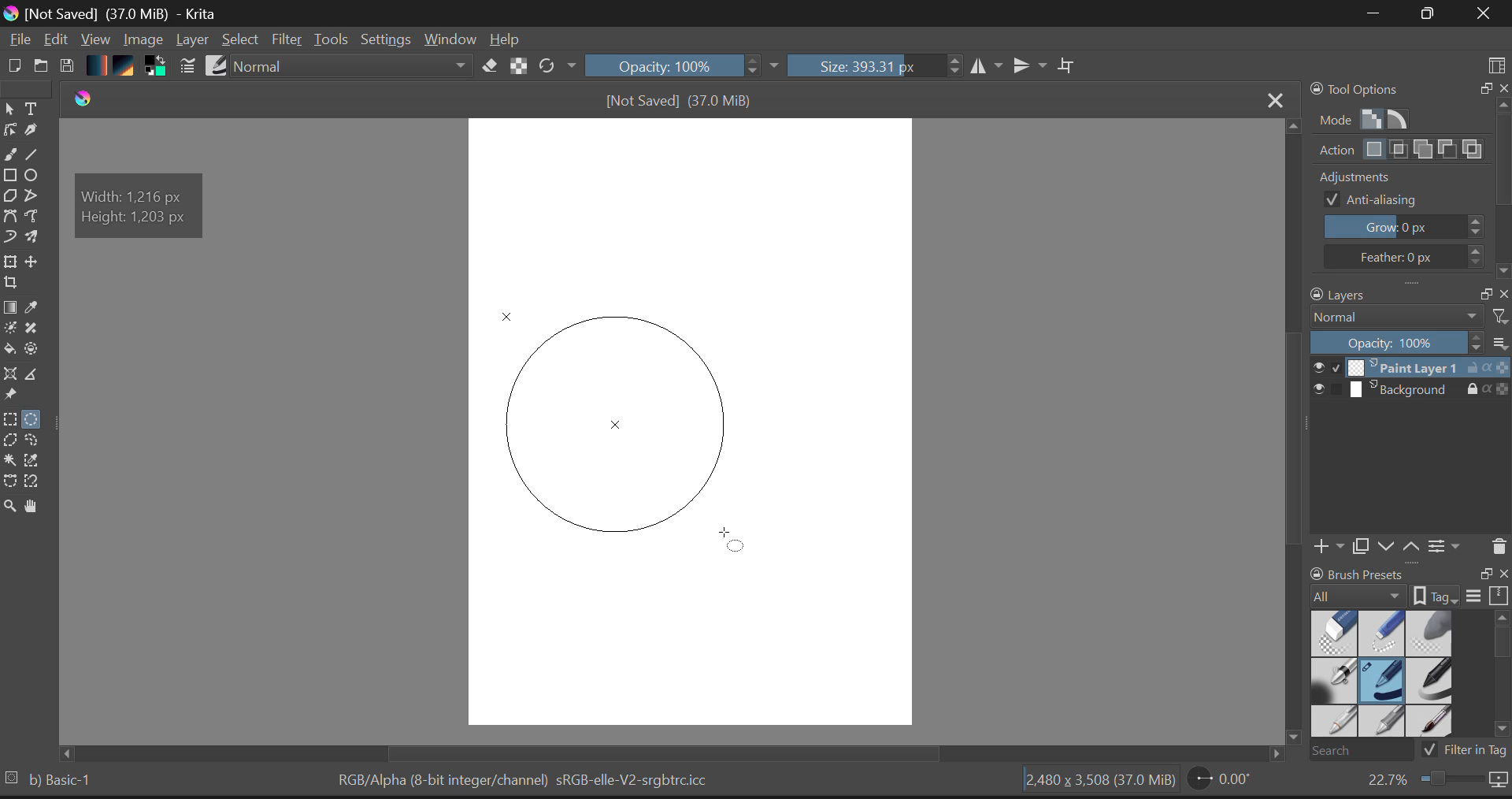  I want to click on Reference Images, so click(13, 396).